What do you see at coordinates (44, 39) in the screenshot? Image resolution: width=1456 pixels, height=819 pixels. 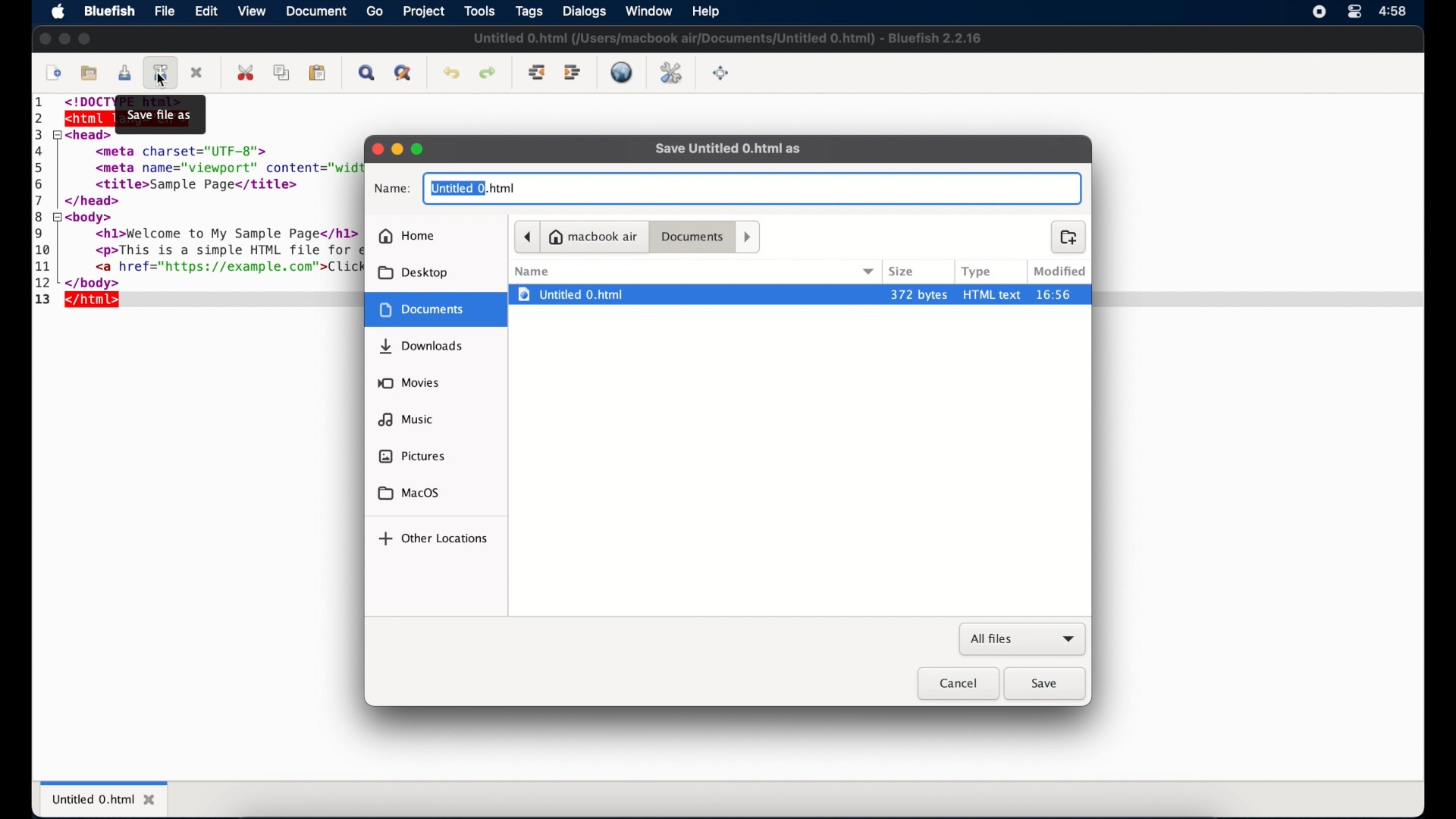 I see `close` at bounding box center [44, 39].